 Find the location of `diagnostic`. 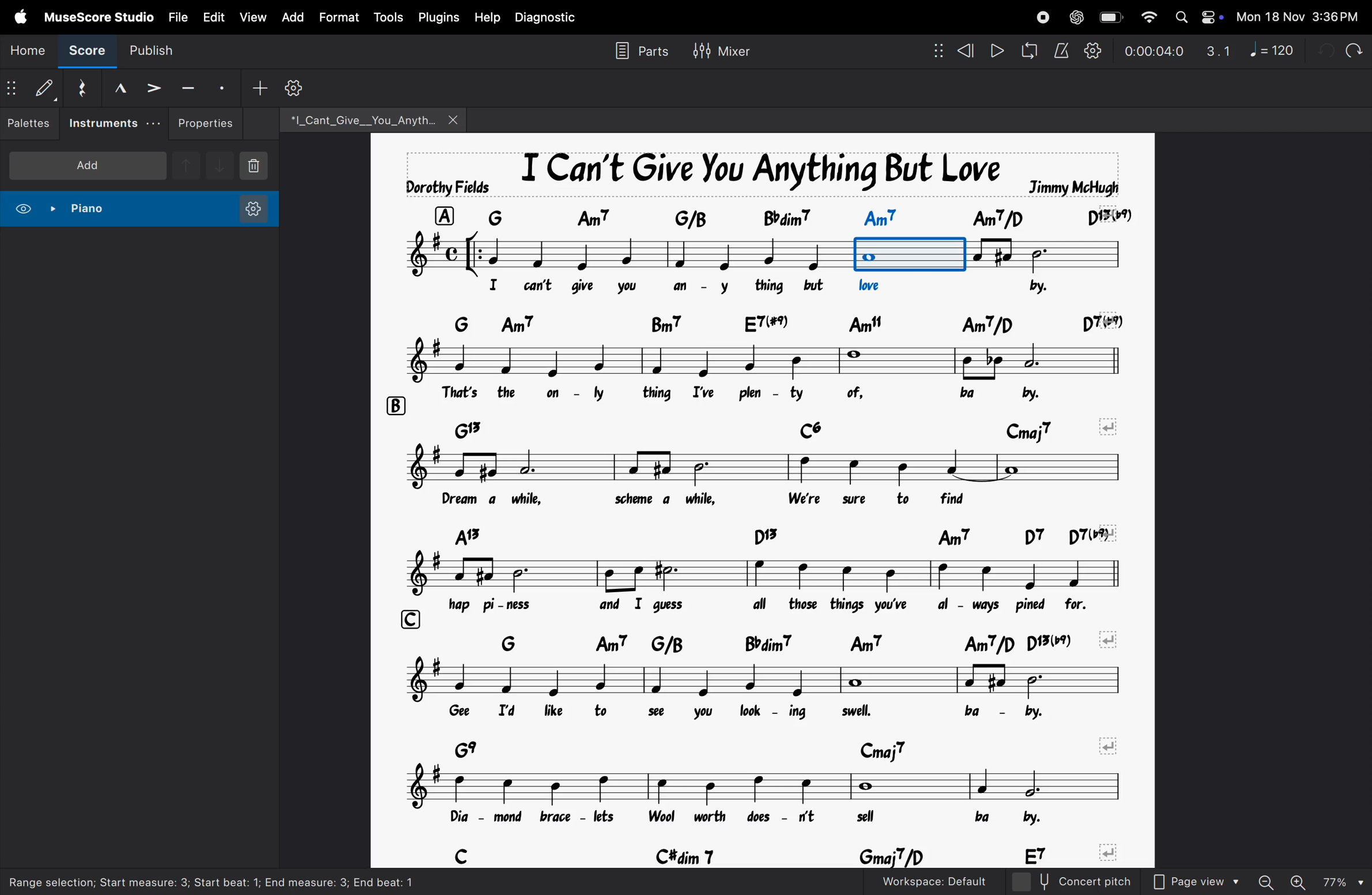

diagnostic is located at coordinates (549, 17).